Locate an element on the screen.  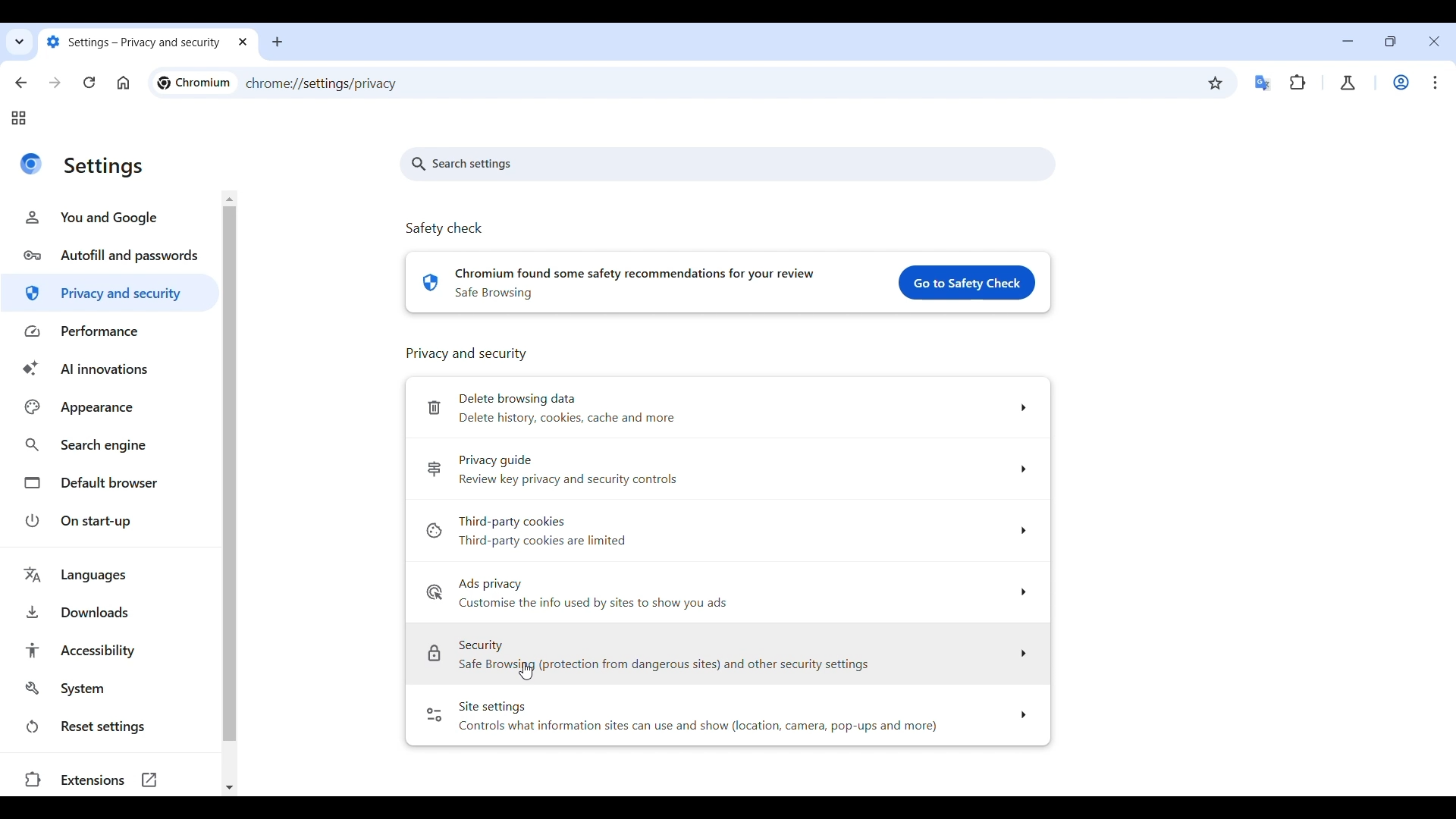
Chrome labs is located at coordinates (1348, 83).